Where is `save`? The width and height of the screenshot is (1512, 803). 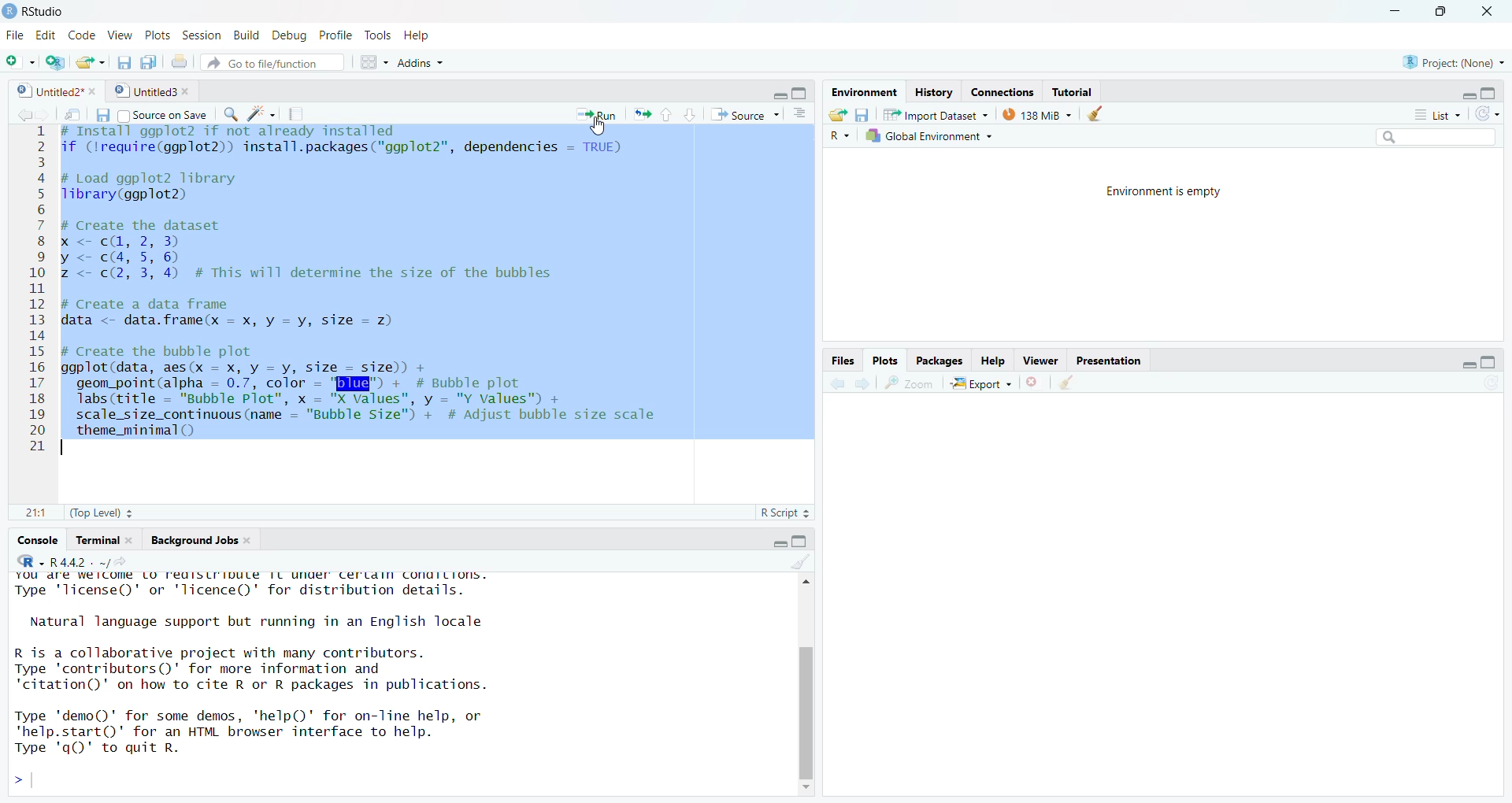 save is located at coordinates (98, 115).